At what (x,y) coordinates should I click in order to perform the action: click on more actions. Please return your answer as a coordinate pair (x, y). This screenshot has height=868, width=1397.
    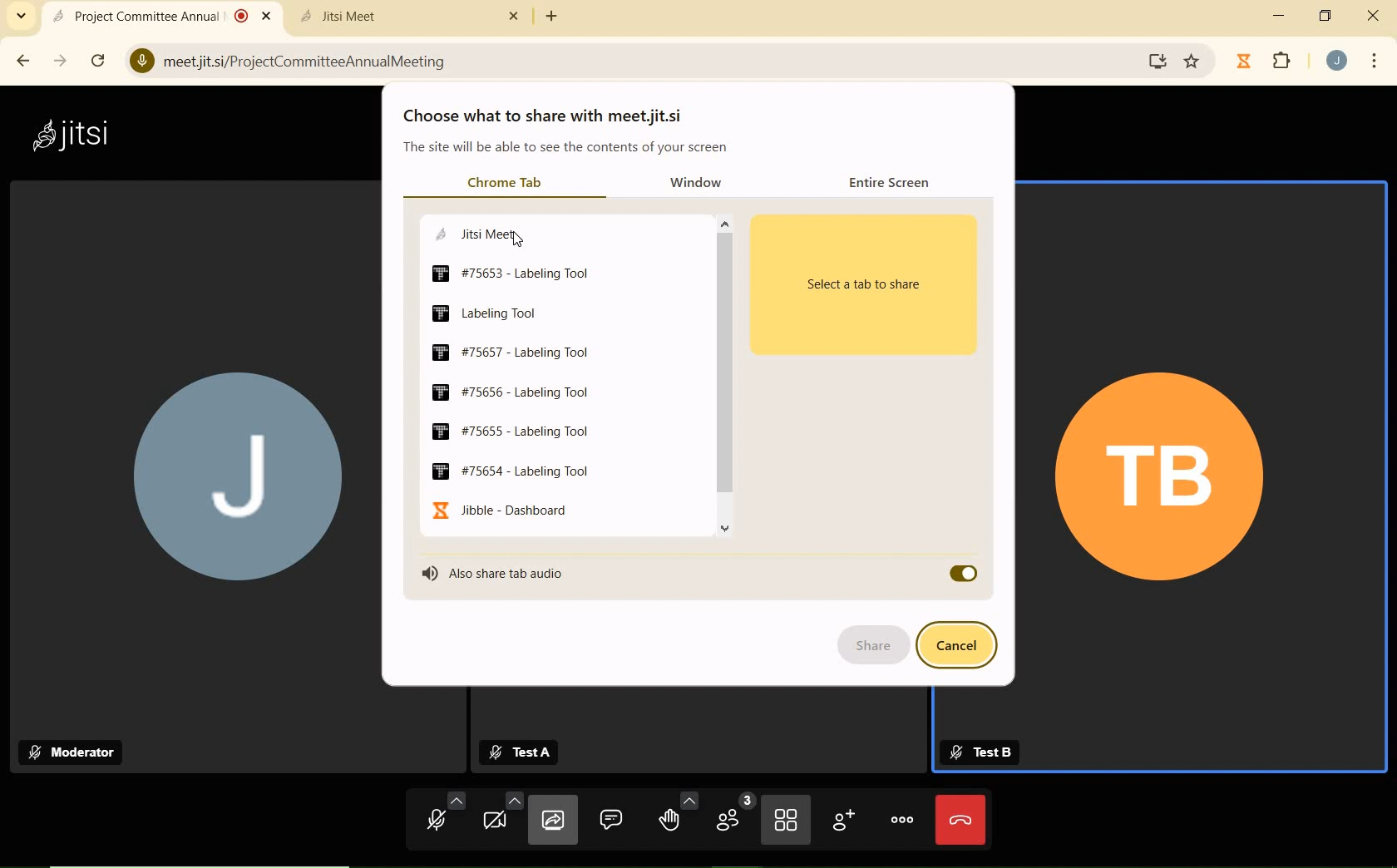
    Looking at the image, I should click on (902, 819).